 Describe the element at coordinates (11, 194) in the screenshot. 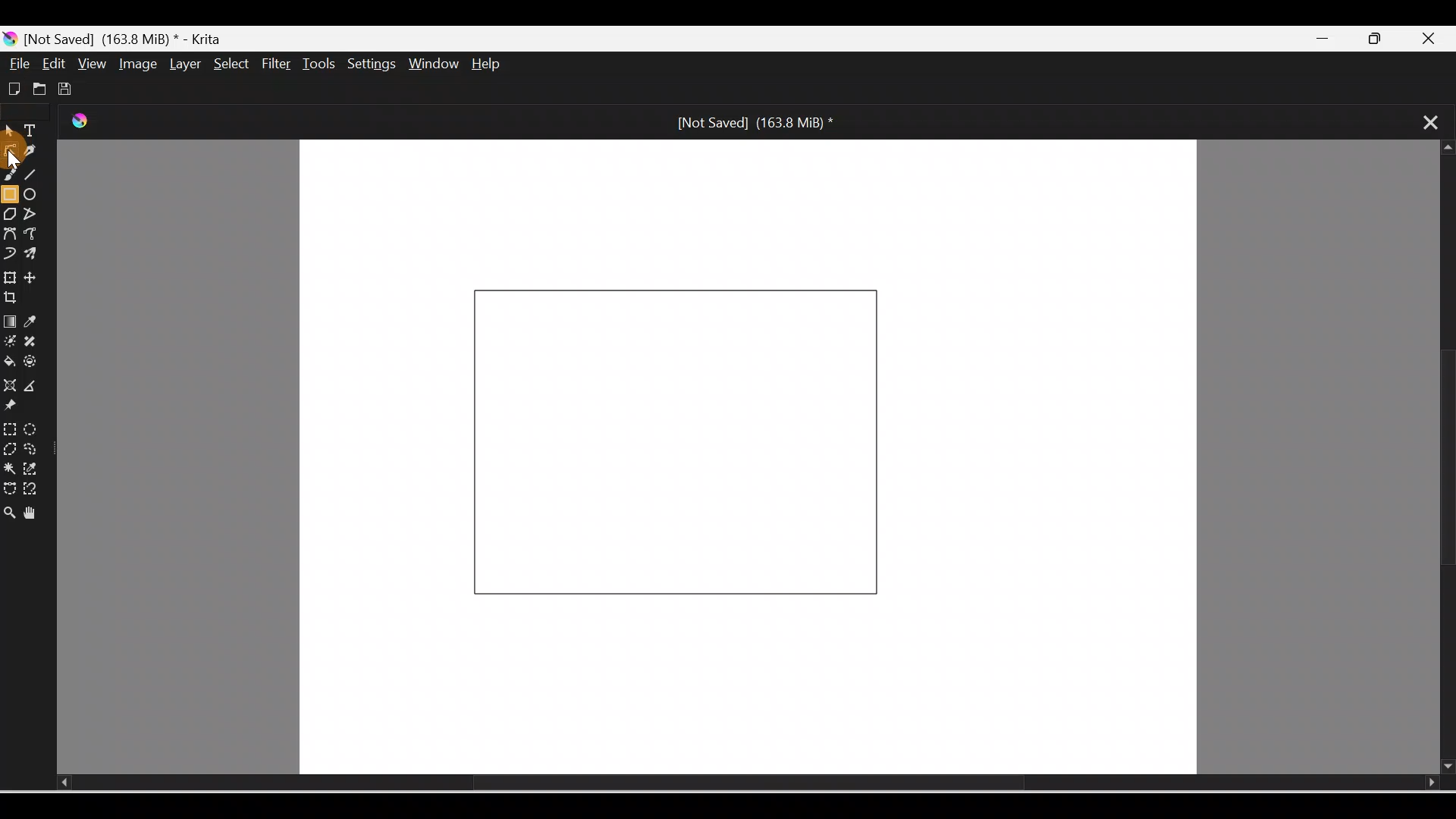

I see `Rectangle` at that location.